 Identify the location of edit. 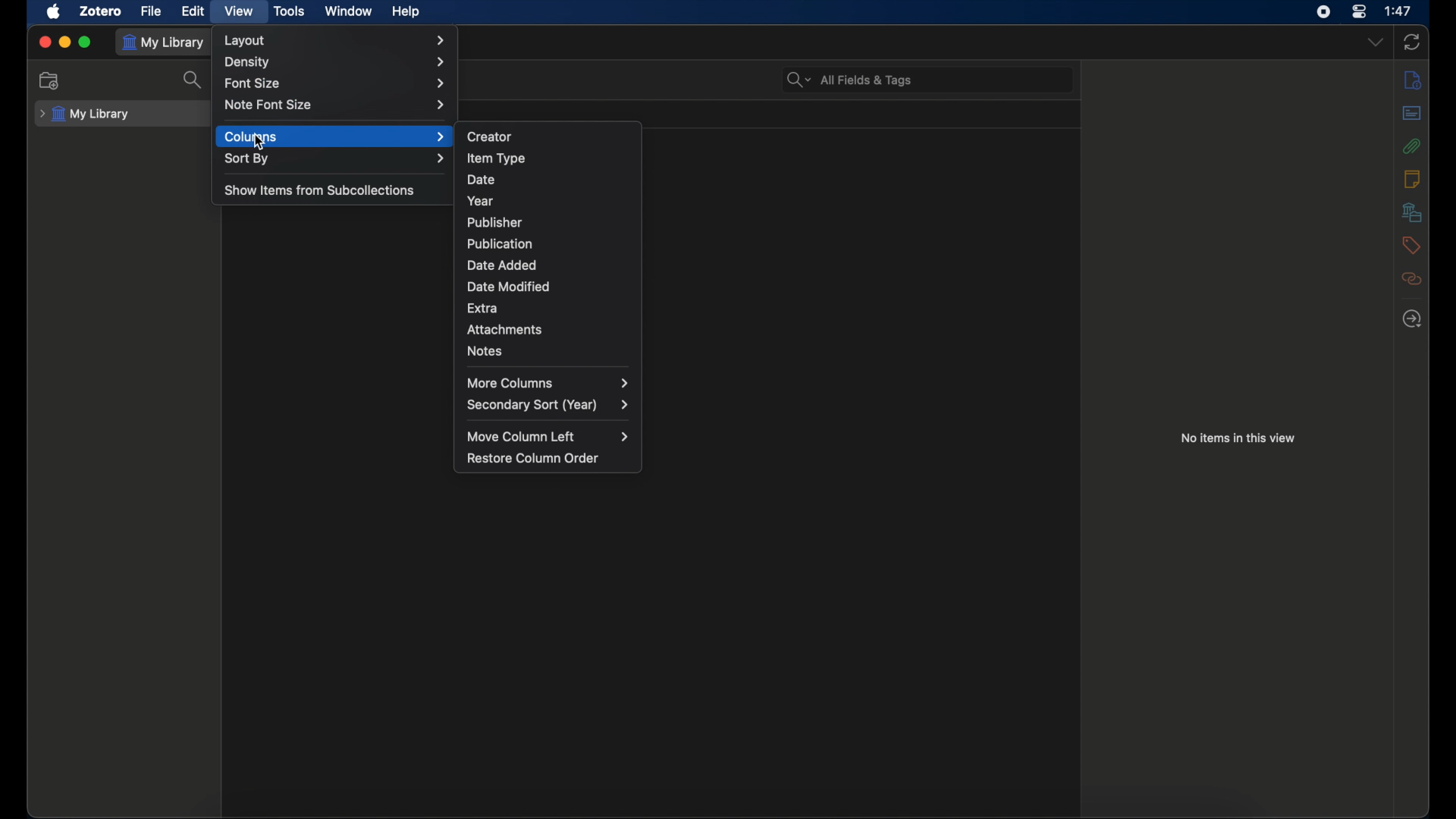
(193, 11).